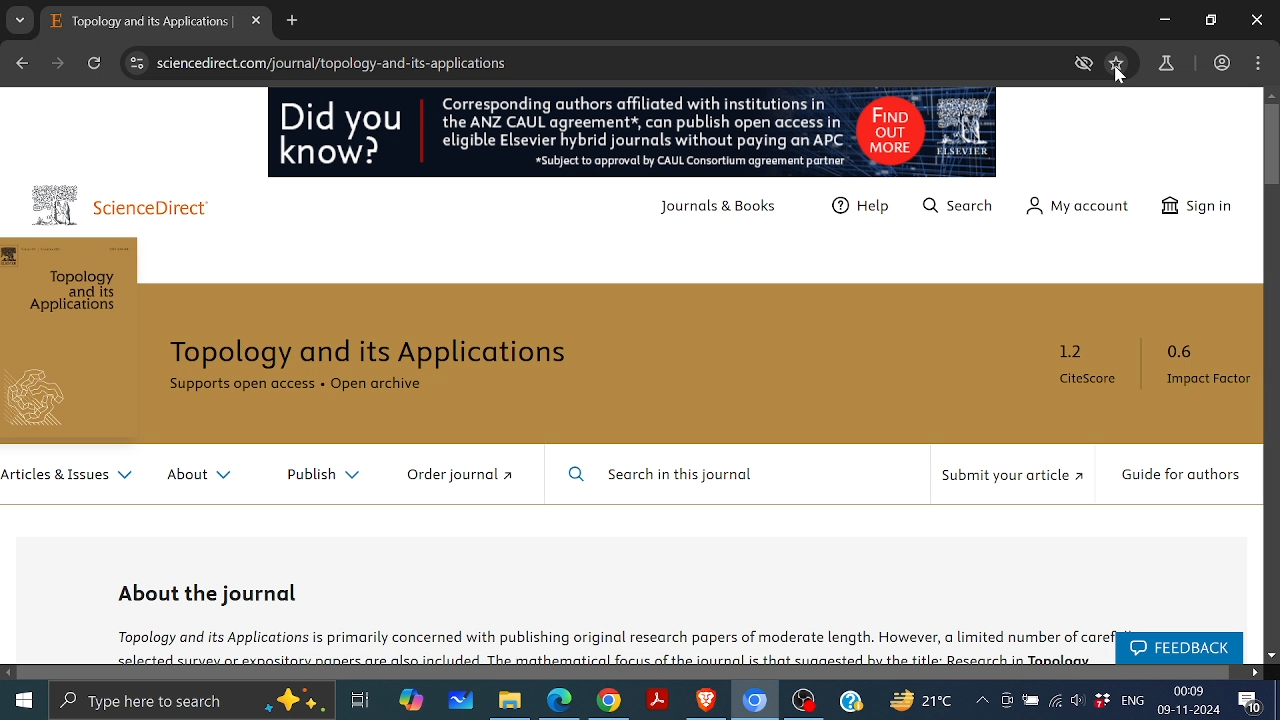  What do you see at coordinates (1257, 63) in the screenshot?
I see `Customize and control chromium` at bounding box center [1257, 63].